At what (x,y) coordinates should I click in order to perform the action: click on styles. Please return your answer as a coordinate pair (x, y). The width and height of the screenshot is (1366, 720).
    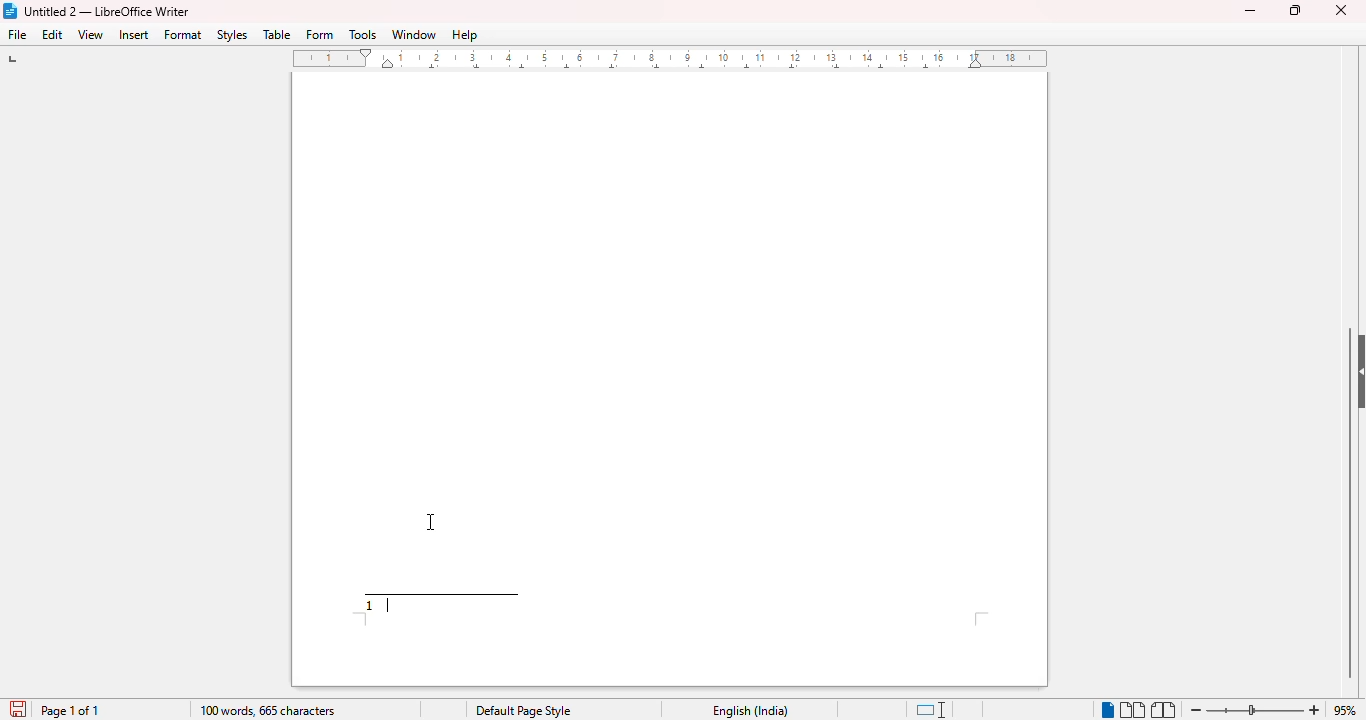
    Looking at the image, I should click on (233, 35).